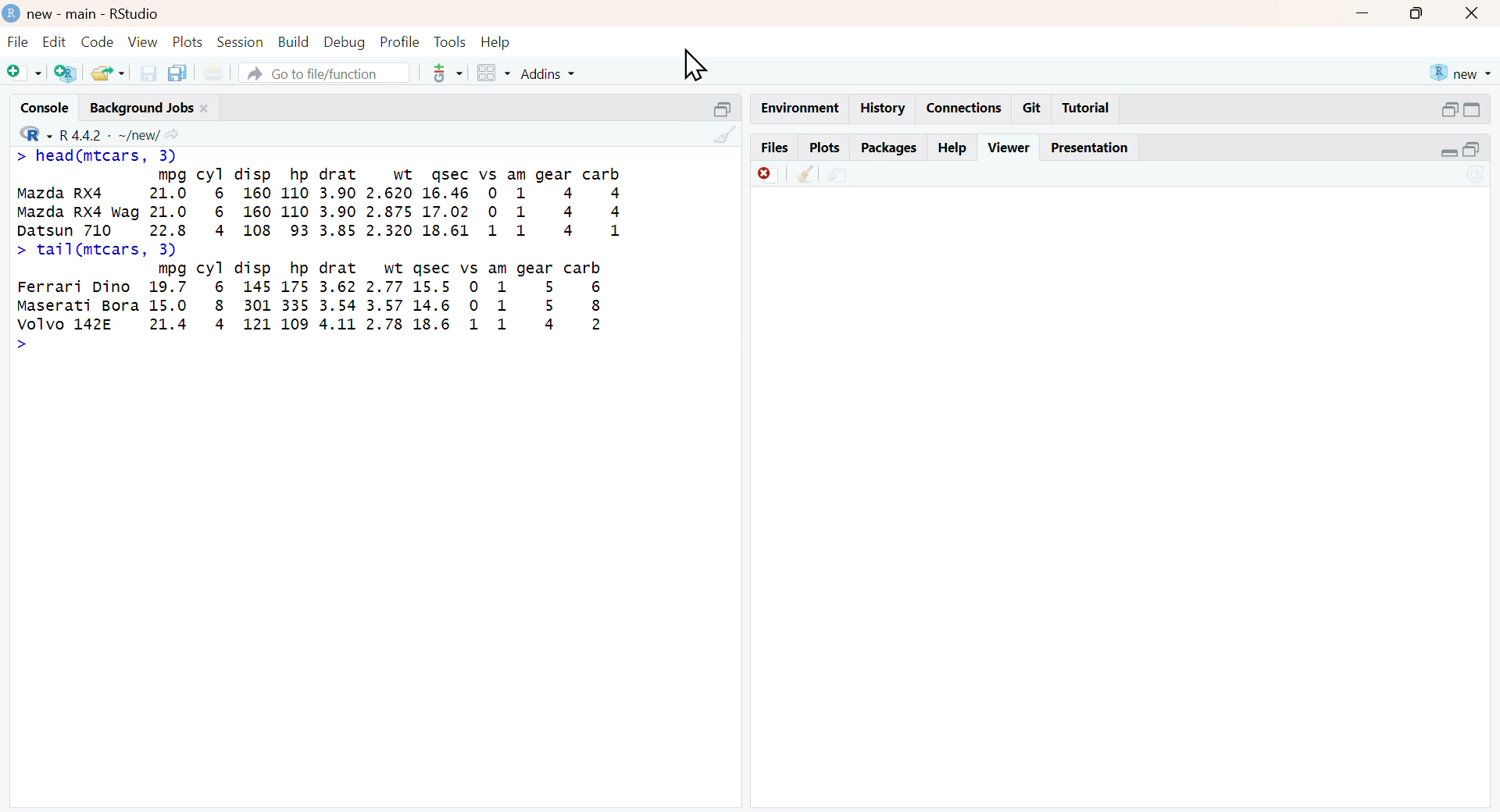 This screenshot has height=812, width=1500. I want to click on Addins +, so click(548, 74).